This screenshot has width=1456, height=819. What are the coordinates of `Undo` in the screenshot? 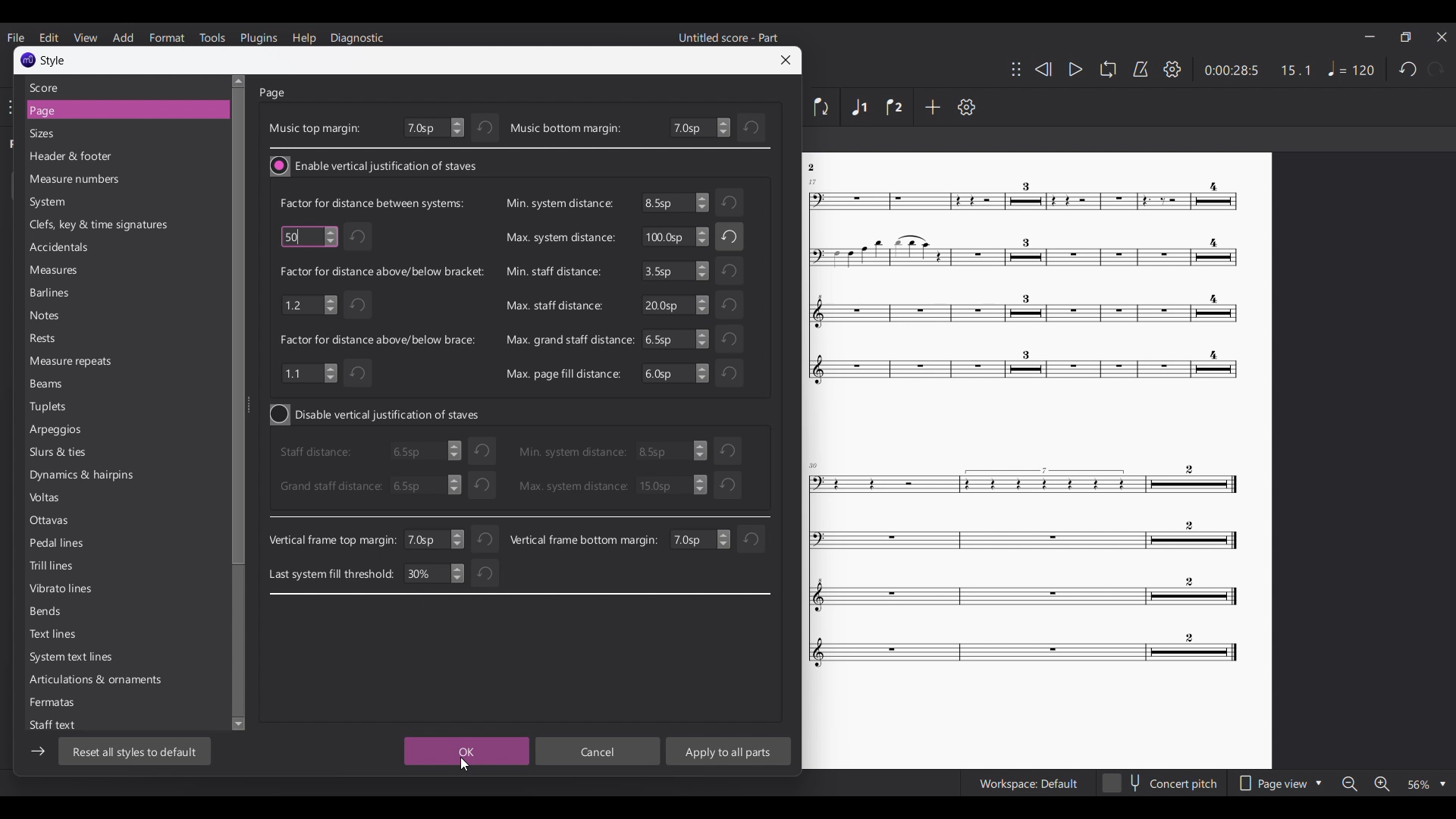 It's located at (485, 128).